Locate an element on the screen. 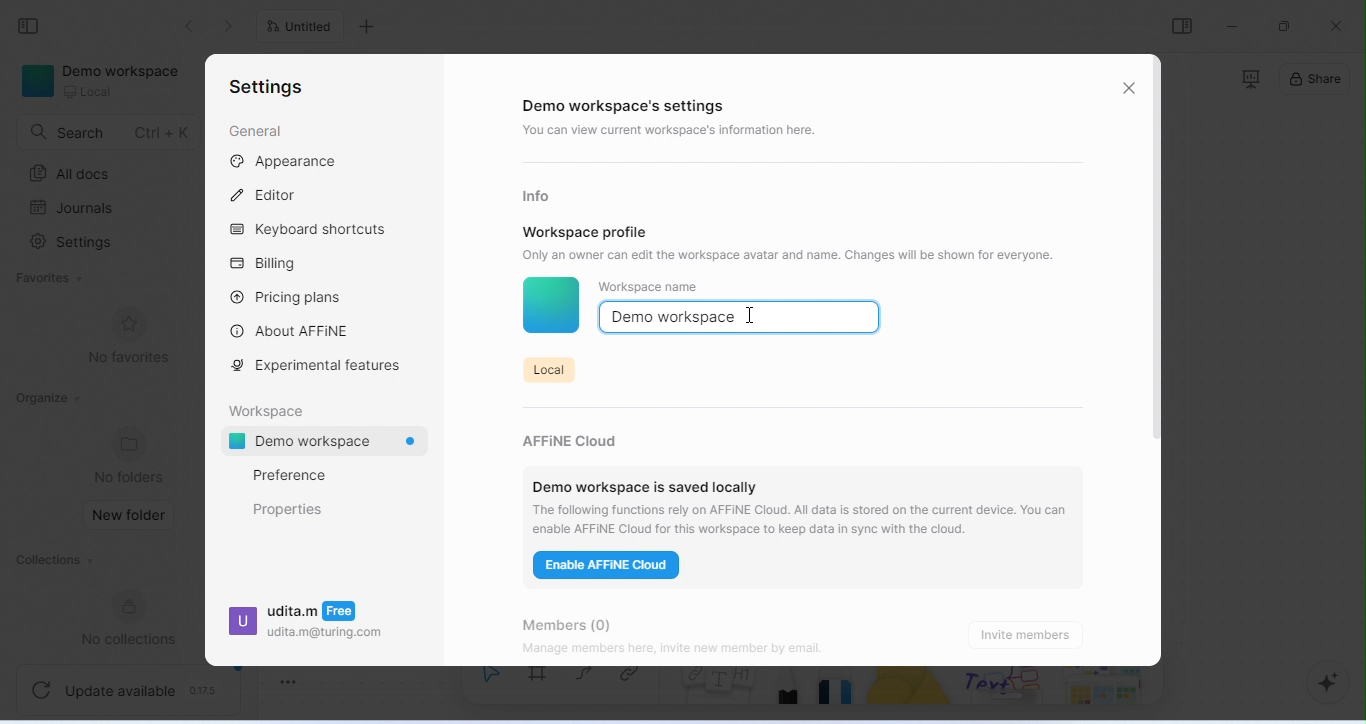 The image size is (1366, 724). search is located at coordinates (109, 132).